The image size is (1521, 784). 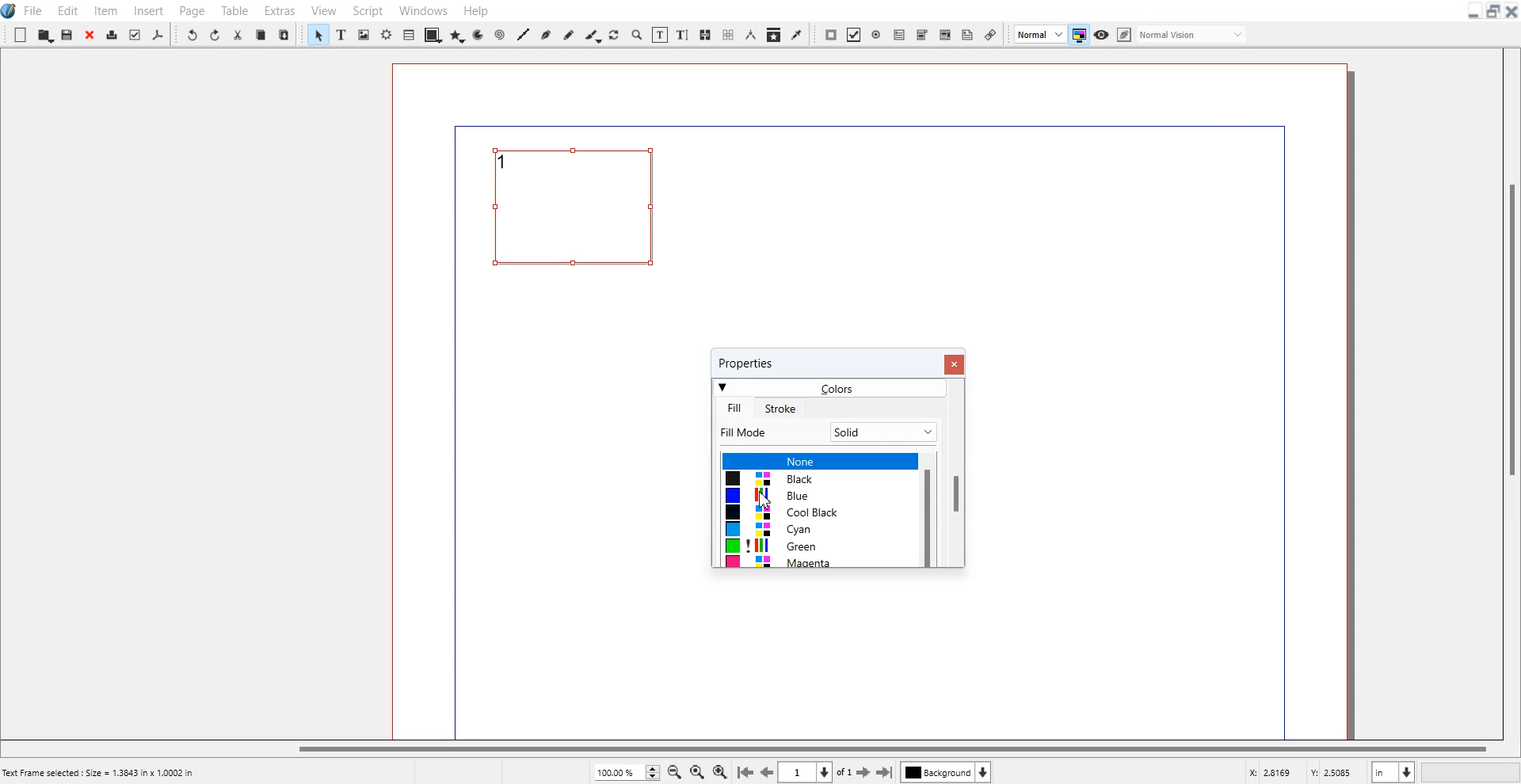 What do you see at coordinates (45, 35) in the screenshot?
I see `Open` at bounding box center [45, 35].